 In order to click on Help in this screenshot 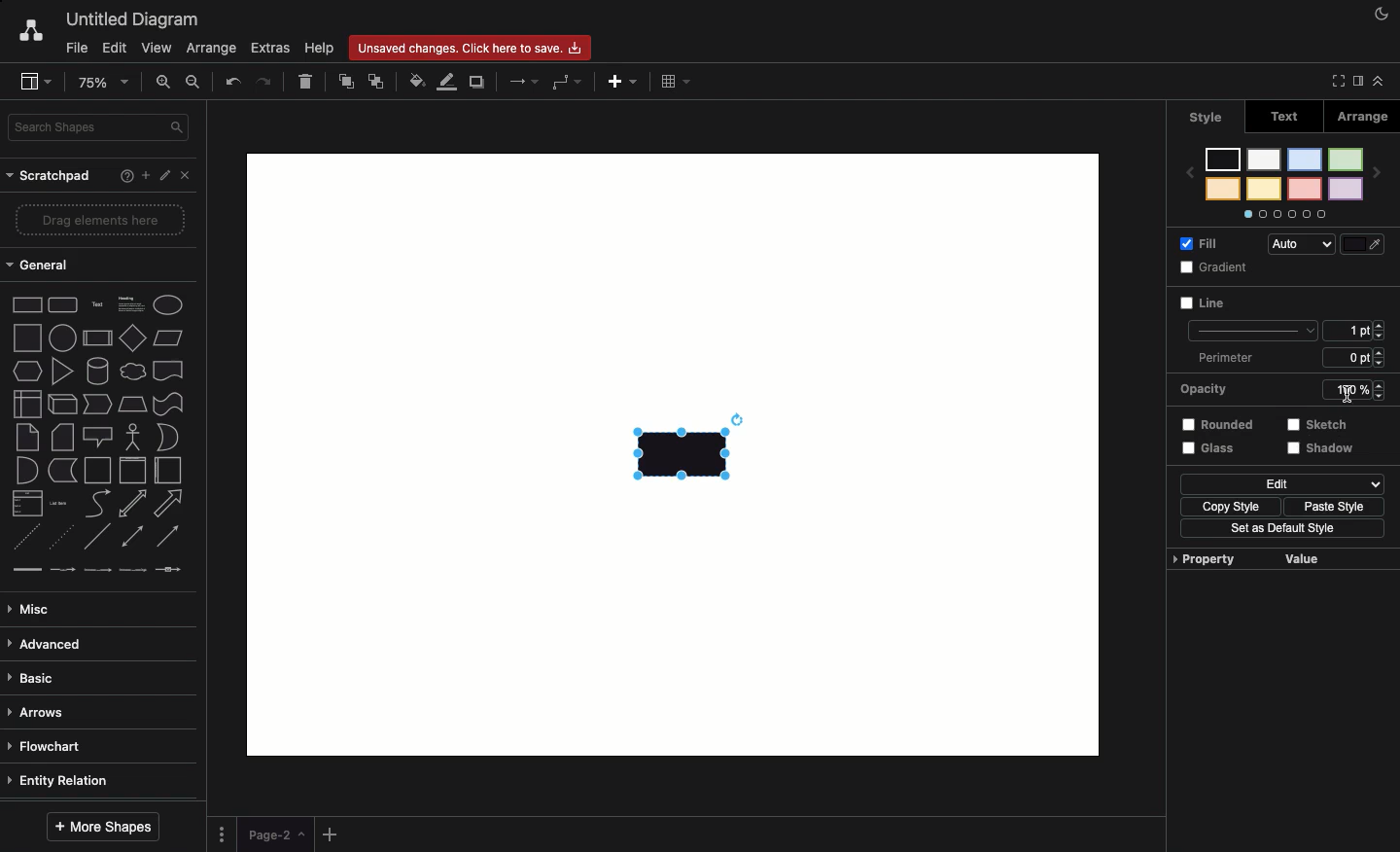, I will do `click(122, 176)`.